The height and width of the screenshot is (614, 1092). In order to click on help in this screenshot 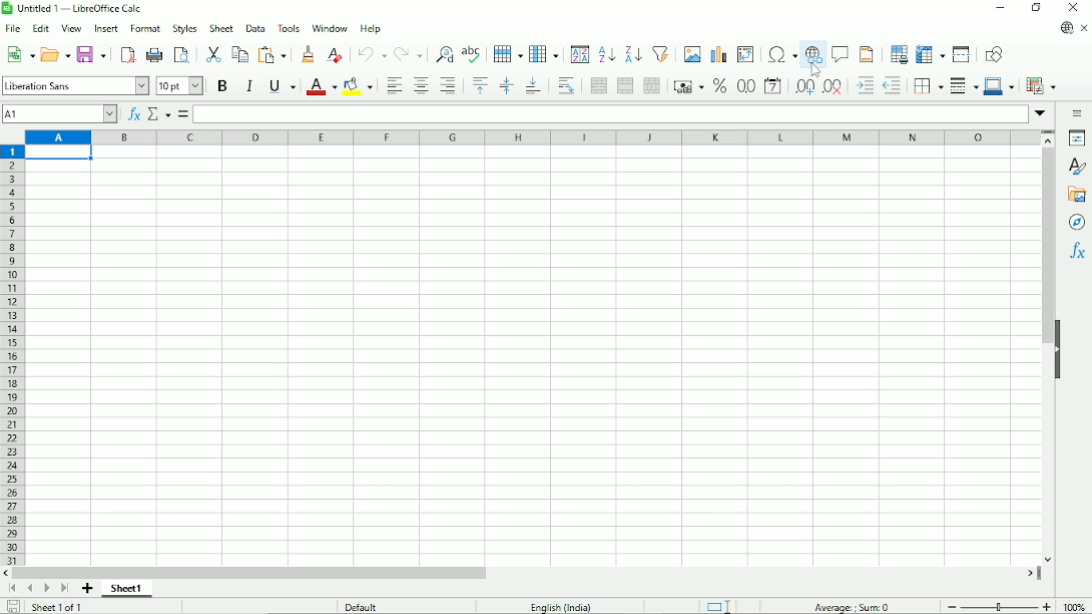, I will do `click(373, 28)`.